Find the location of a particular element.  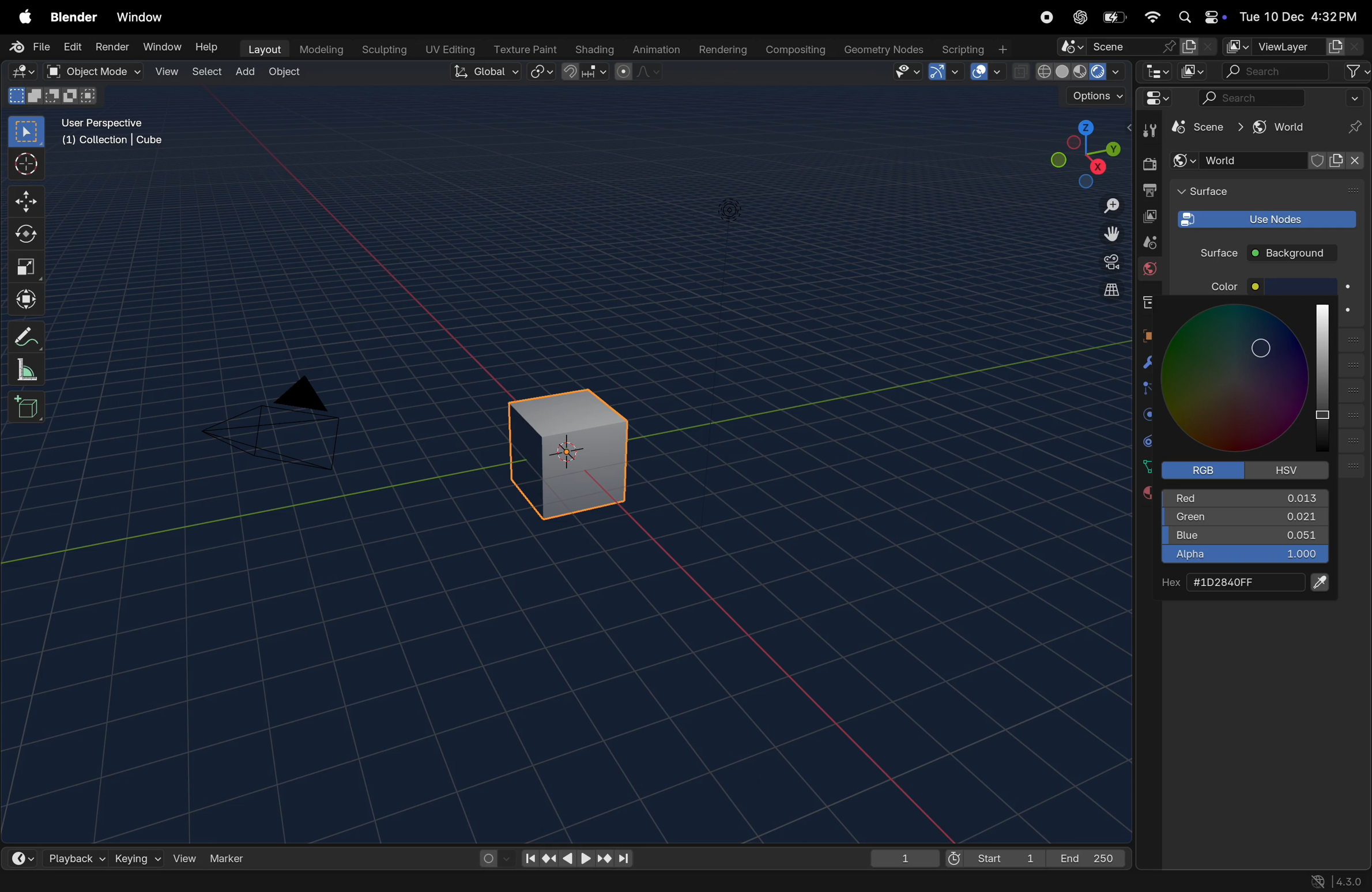

 is located at coordinates (730, 202).